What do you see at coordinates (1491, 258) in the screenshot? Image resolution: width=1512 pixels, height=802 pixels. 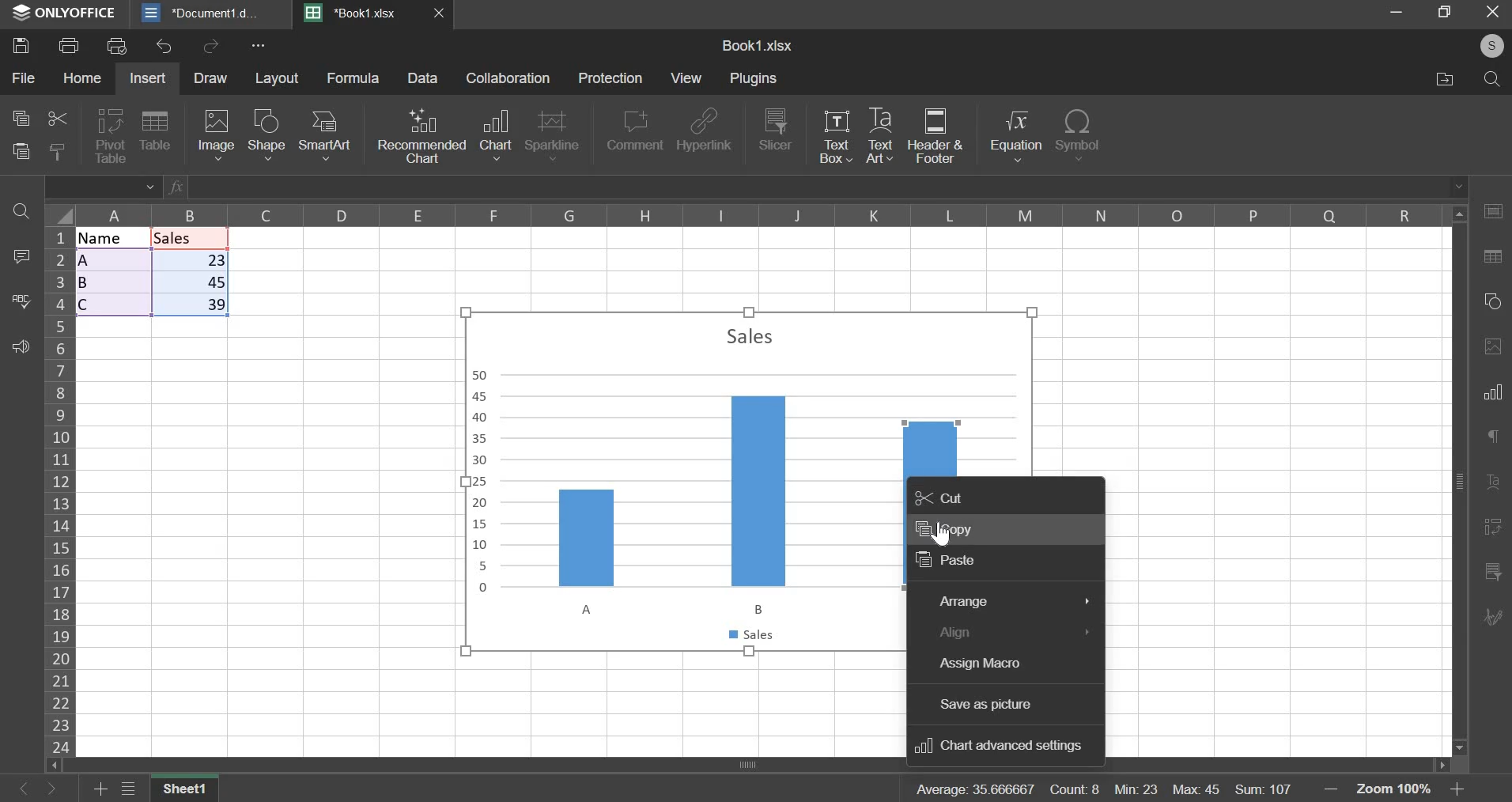 I see `Search/Replace Tool` at bounding box center [1491, 258].